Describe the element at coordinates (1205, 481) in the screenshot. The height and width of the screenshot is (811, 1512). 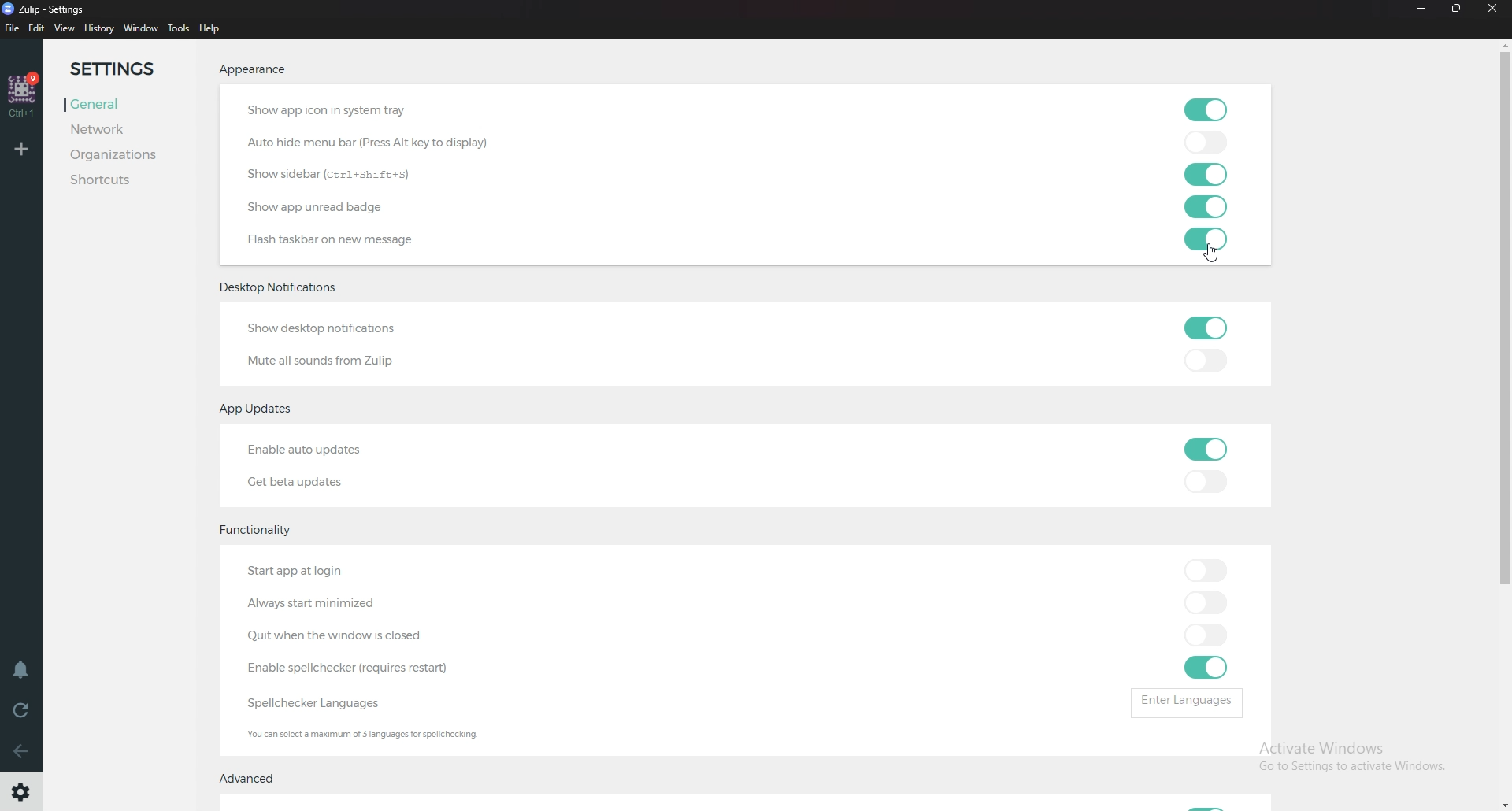
I see `toggle` at that location.